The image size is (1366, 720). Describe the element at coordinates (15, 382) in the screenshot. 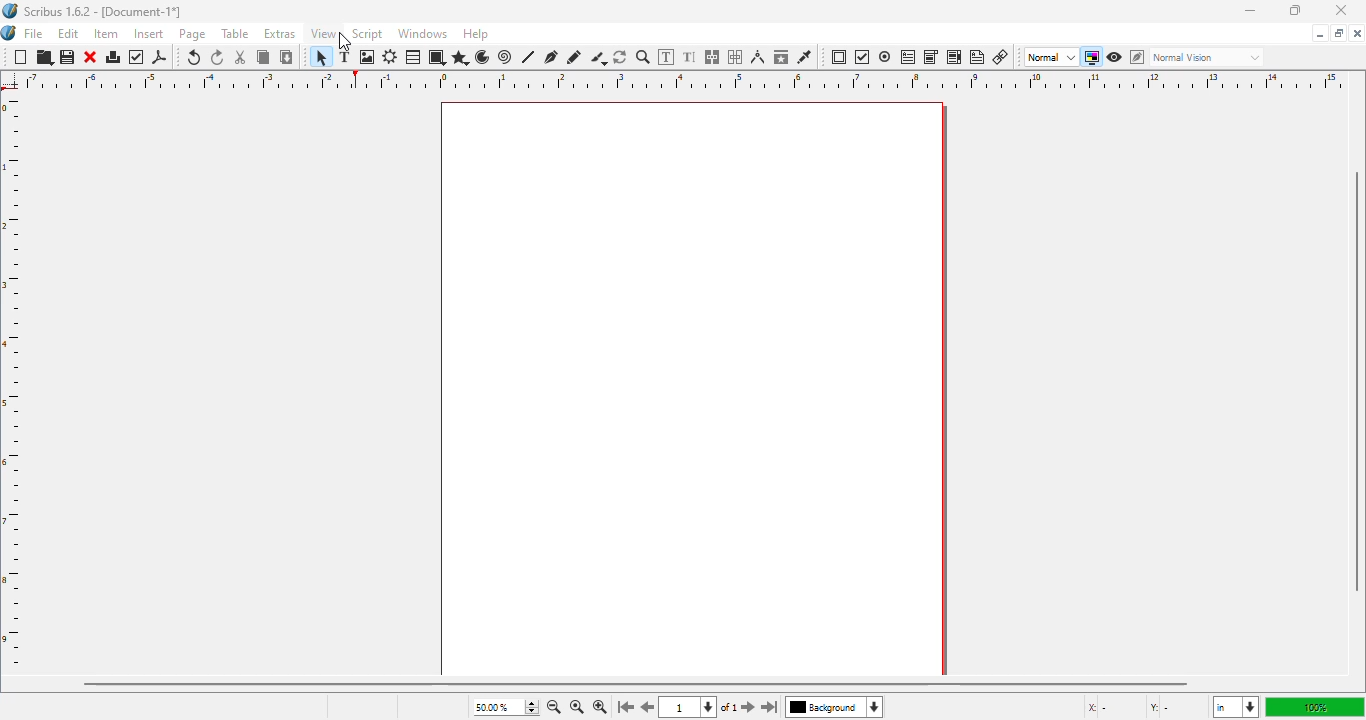

I see `ruler` at that location.